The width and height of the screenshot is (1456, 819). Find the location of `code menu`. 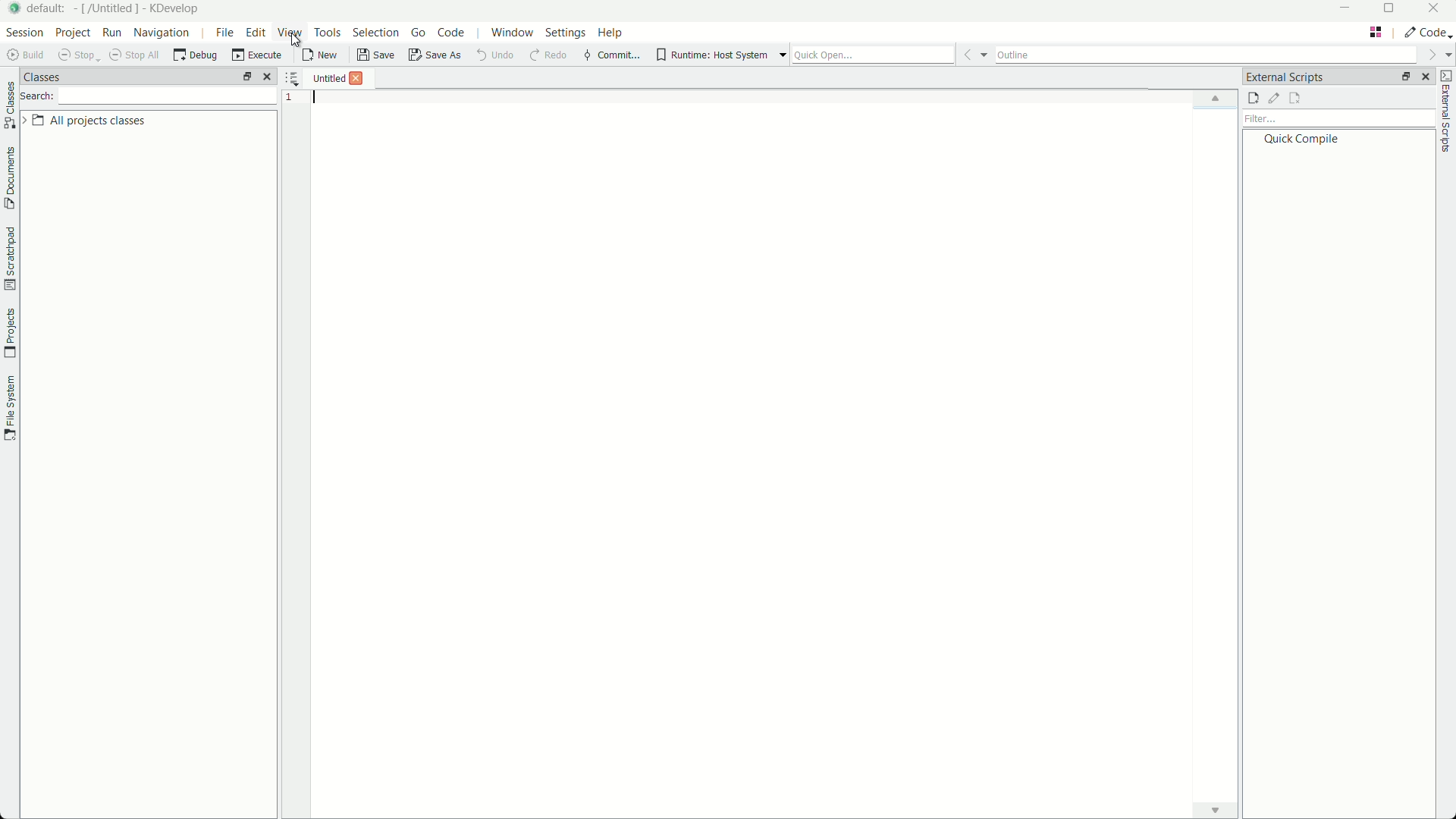

code menu is located at coordinates (449, 32).